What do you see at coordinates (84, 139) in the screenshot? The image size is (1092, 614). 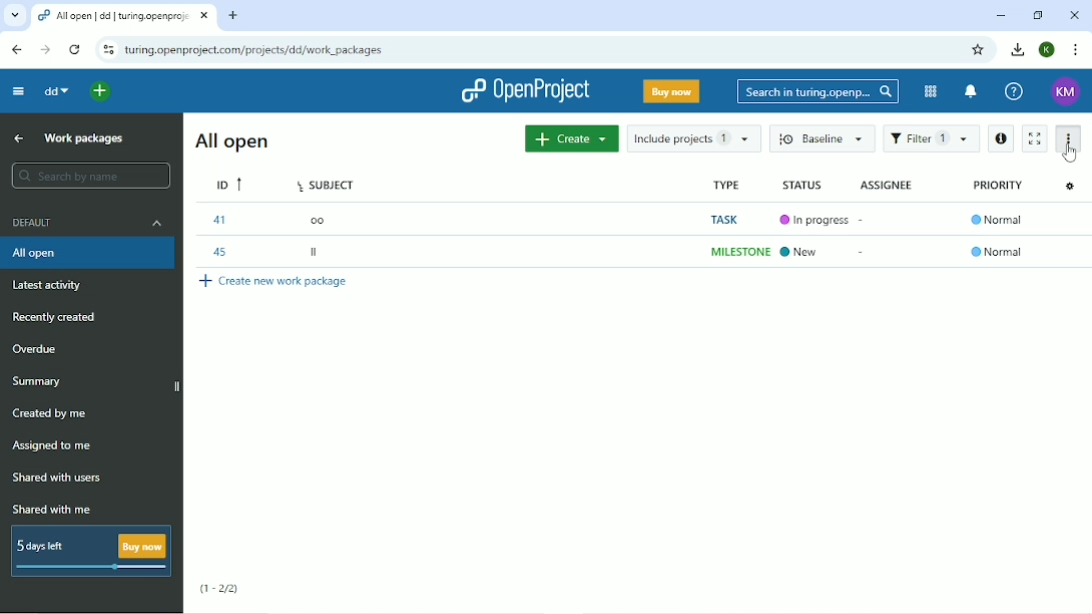 I see `Work packages` at bounding box center [84, 139].